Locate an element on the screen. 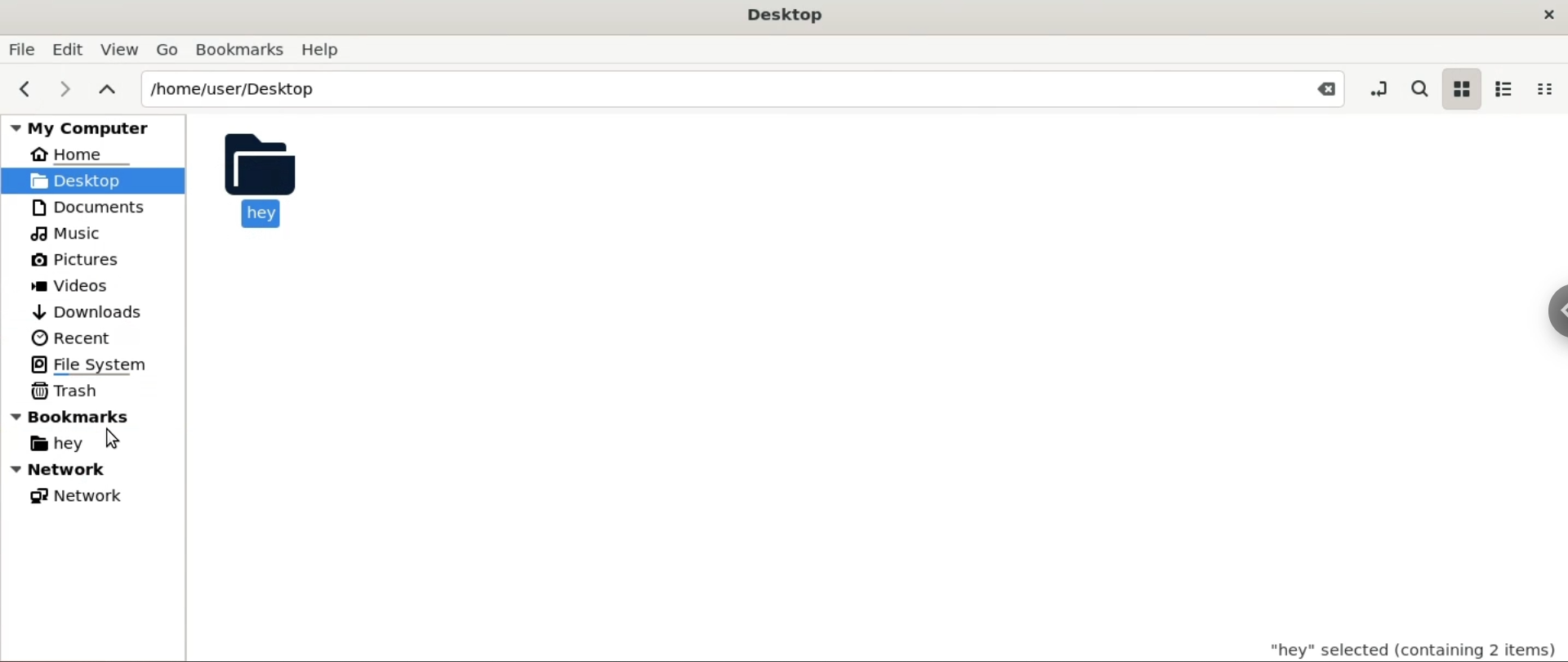 The width and height of the screenshot is (1568, 662). hey is located at coordinates (261, 181).